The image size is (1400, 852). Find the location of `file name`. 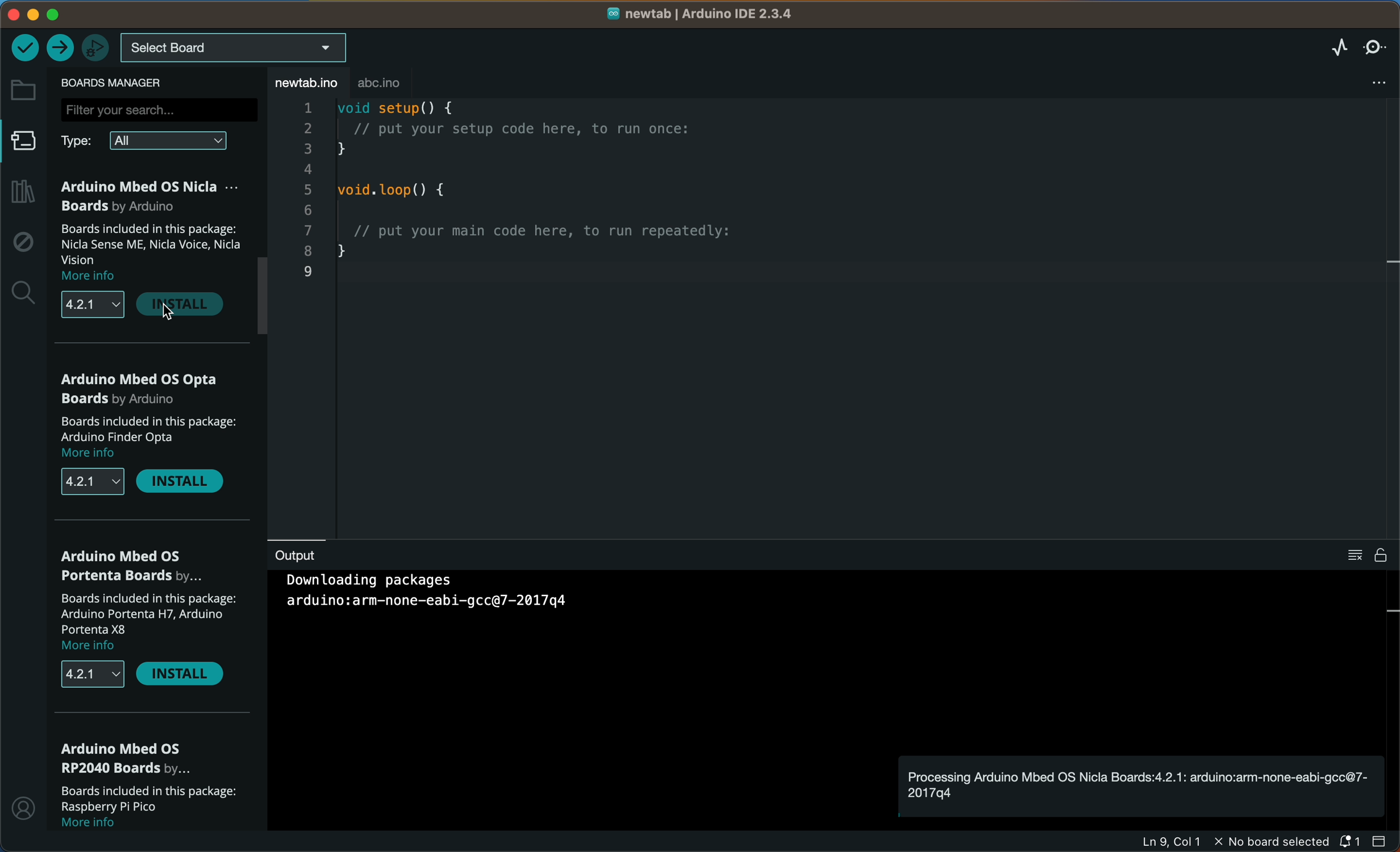

file name is located at coordinates (701, 13).